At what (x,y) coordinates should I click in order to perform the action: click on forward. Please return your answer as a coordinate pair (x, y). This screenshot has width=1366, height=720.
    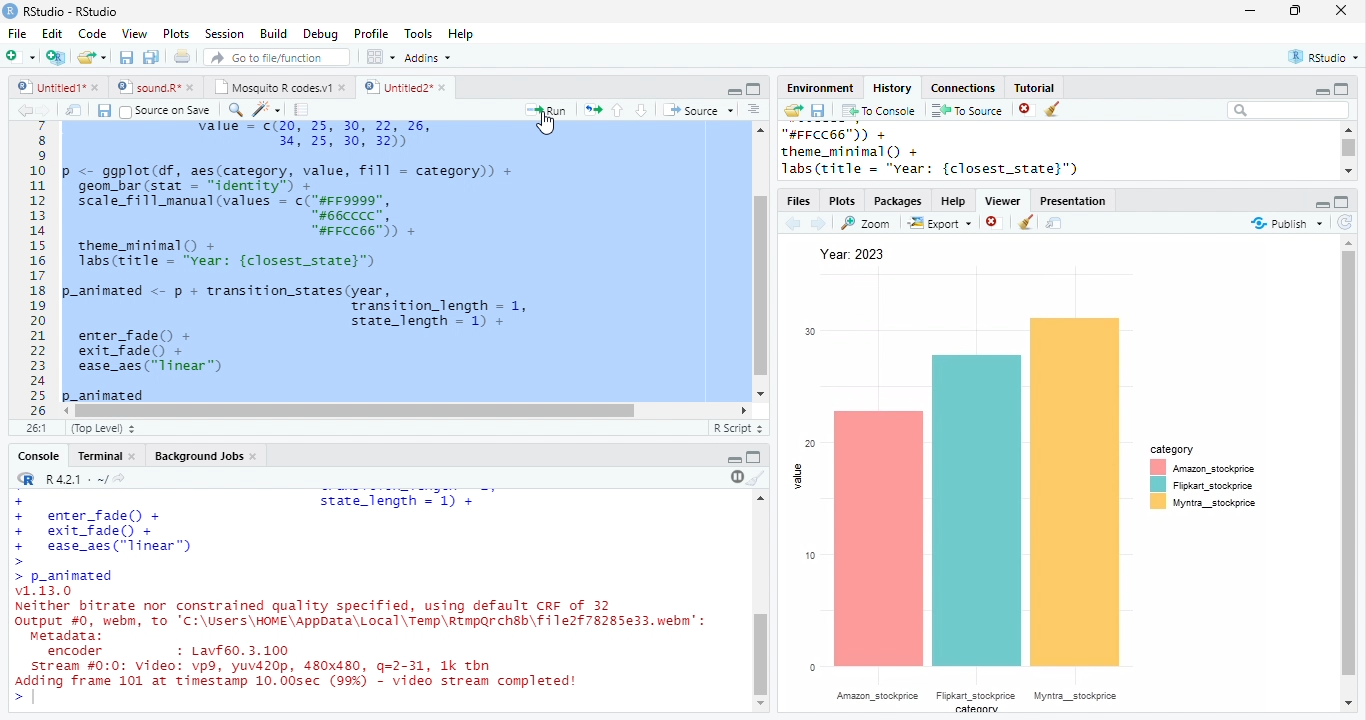
    Looking at the image, I should click on (819, 224).